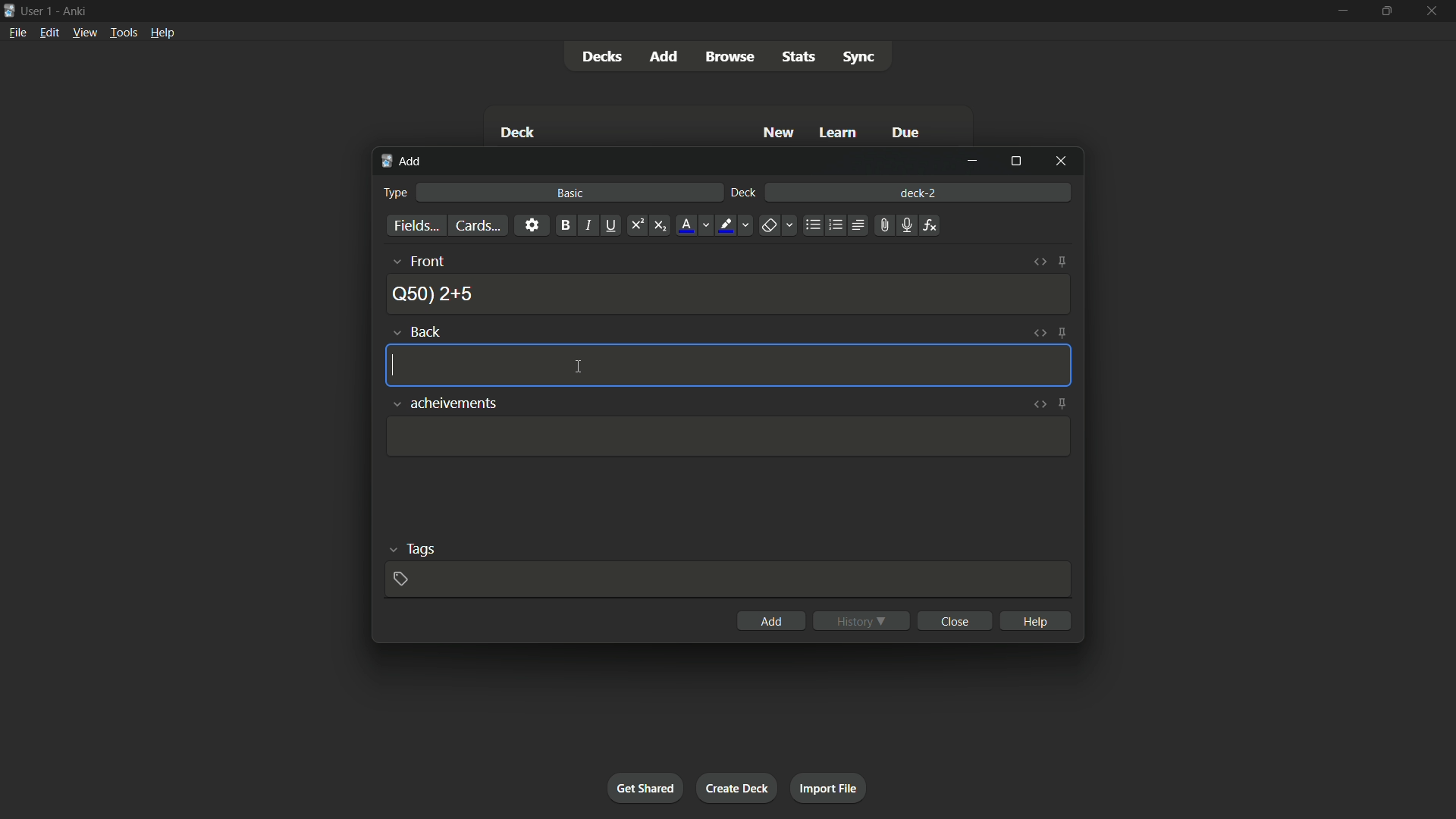 This screenshot has width=1456, height=819. I want to click on add, so click(771, 620).